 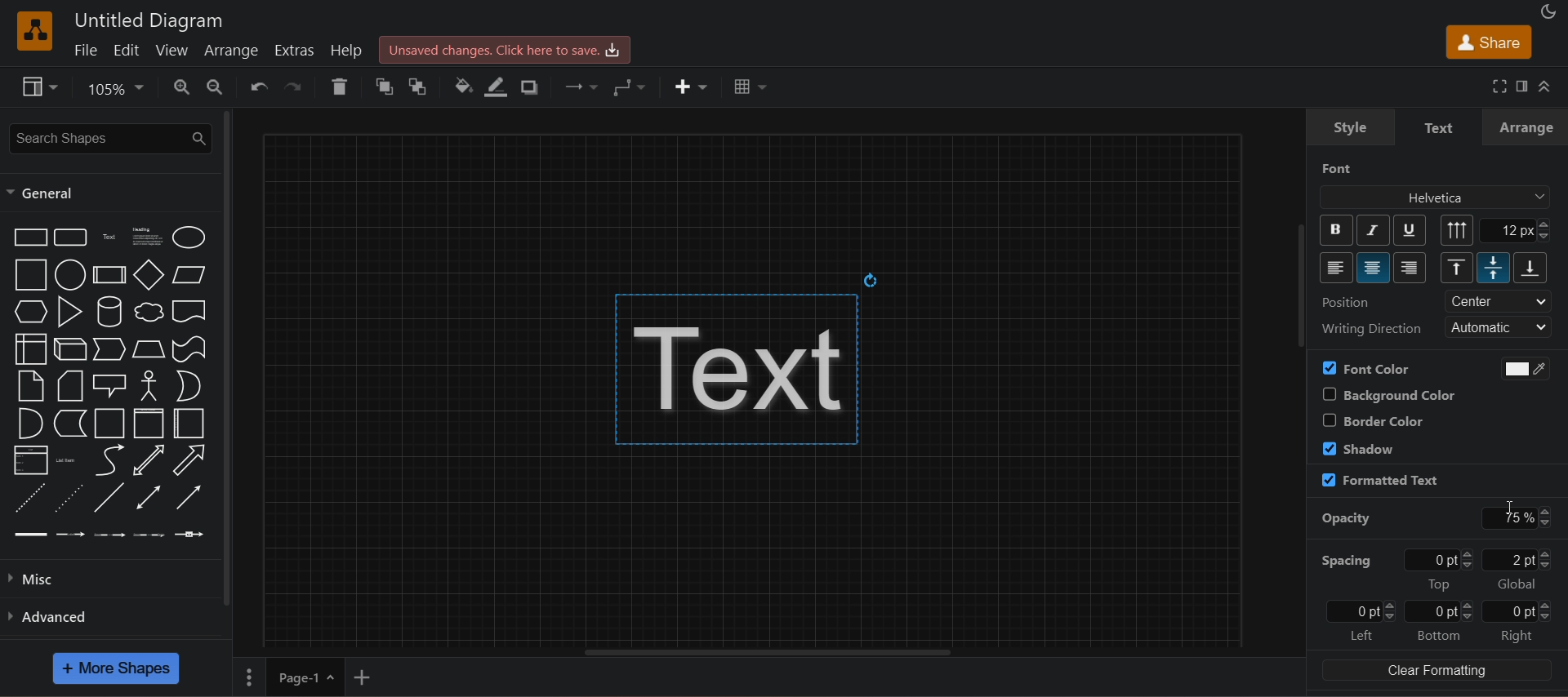 I want to click on redo, so click(x=296, y=85).